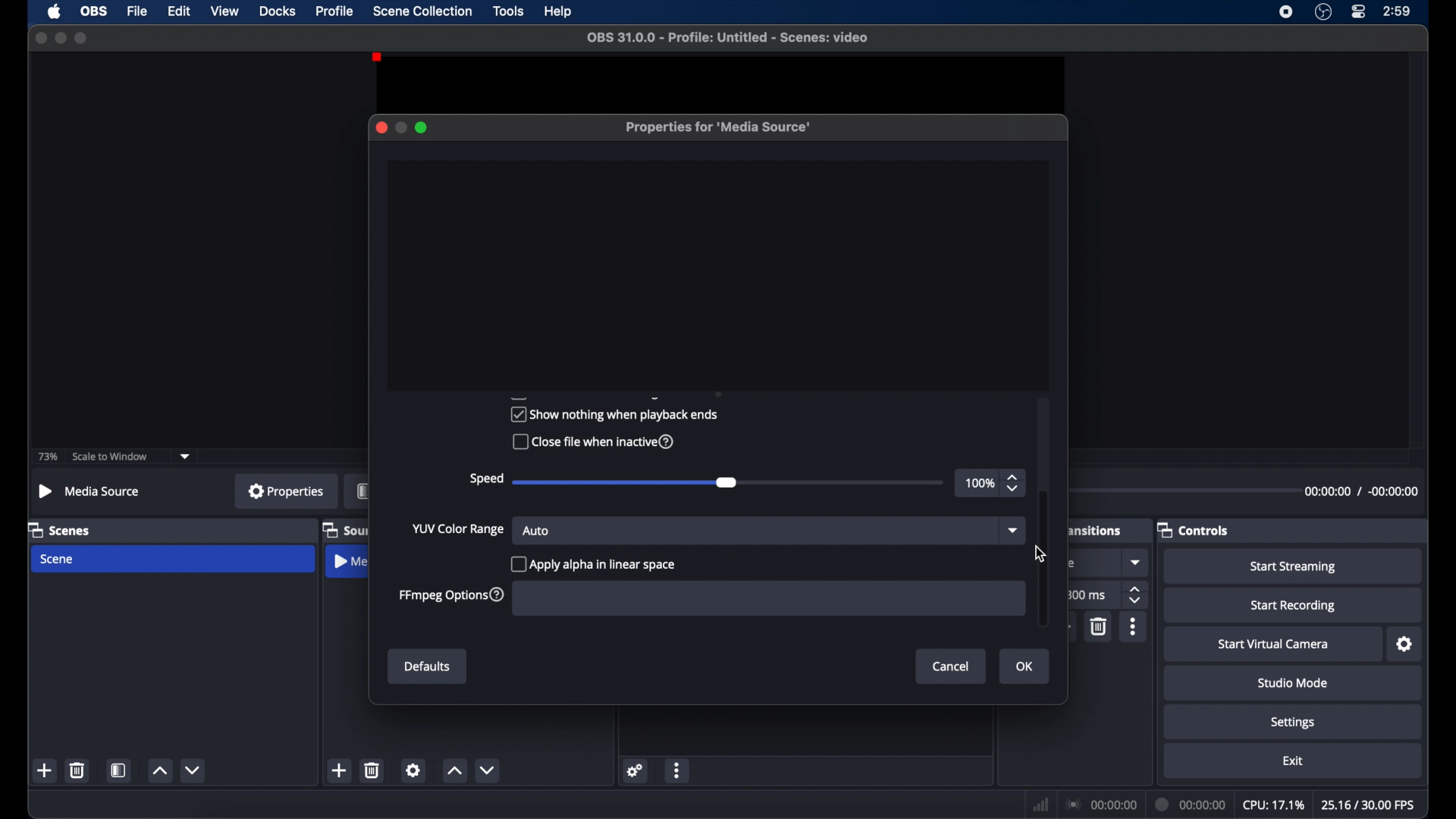 The height and width of the screenshot is (819, 1456). What do you see at coordinates (194, 770) in the screenshot?
I see `decrement` at bounding box center [194, 770].